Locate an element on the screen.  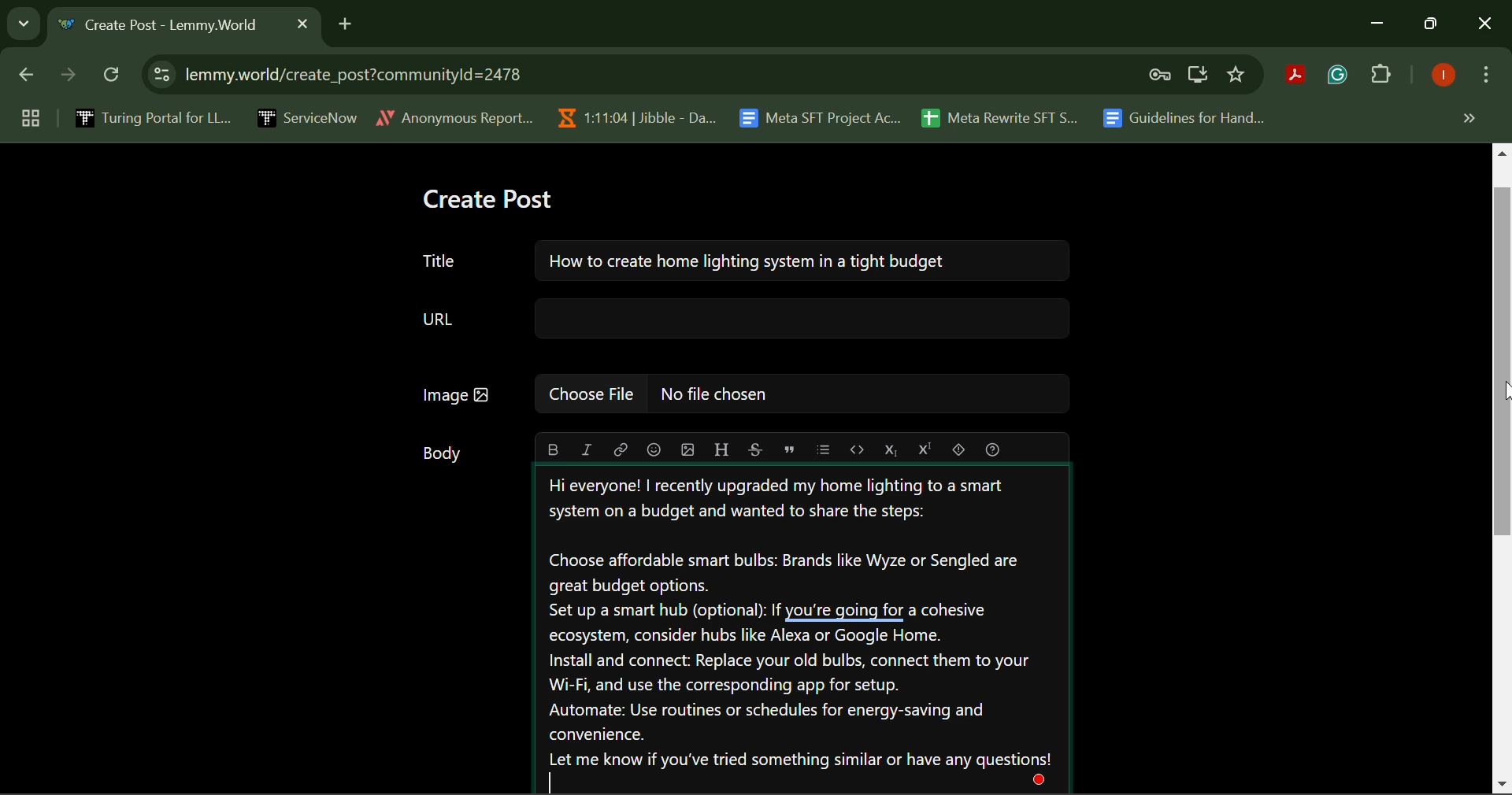
italic is located at coordinates (587, 449).